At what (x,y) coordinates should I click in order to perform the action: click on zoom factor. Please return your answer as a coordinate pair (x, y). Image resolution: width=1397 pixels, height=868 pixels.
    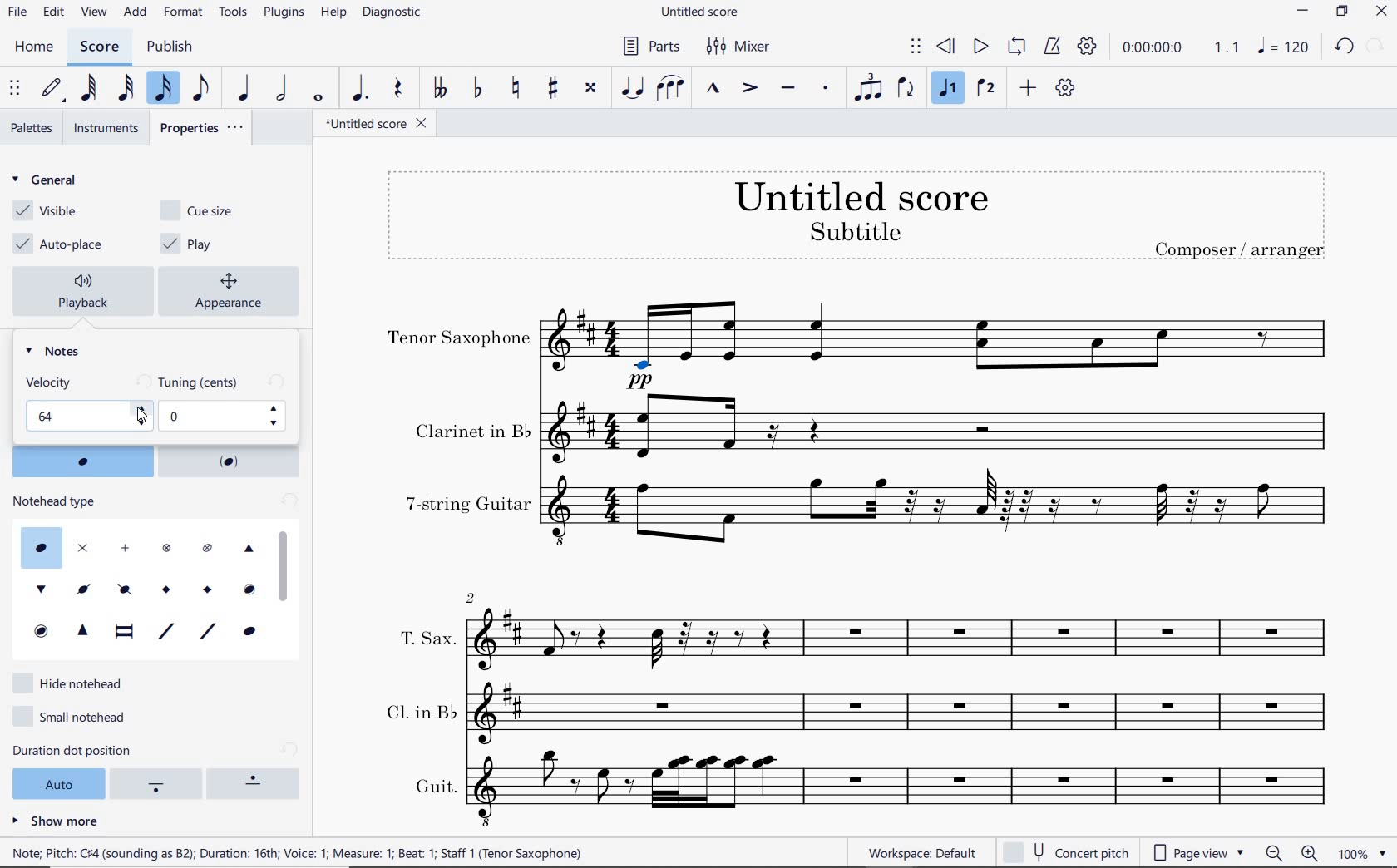
    Looking at the image, I should click on (1361, 853).